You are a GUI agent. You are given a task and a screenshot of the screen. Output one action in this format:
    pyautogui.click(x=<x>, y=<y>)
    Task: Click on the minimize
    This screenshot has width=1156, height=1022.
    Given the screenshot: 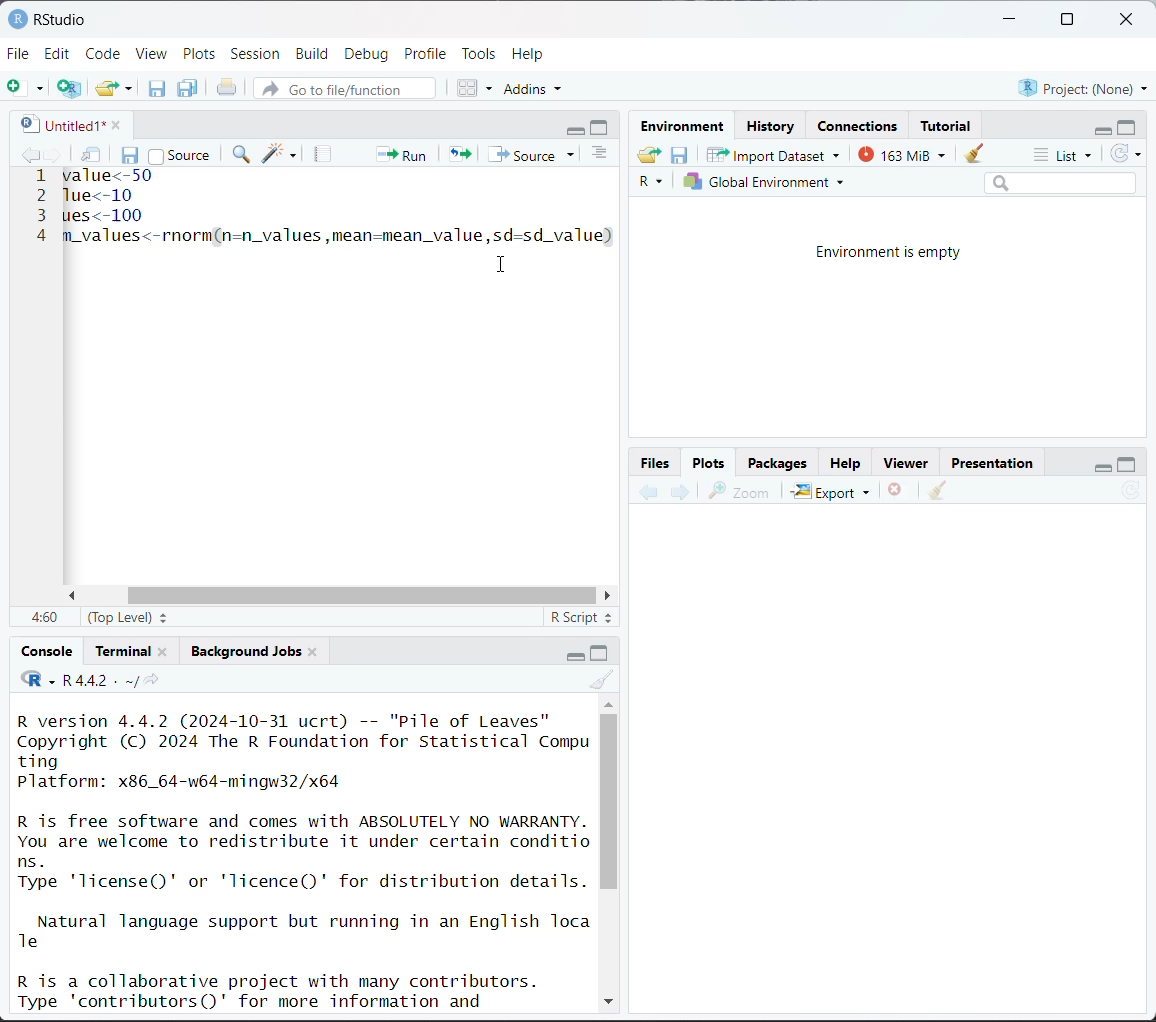 What is the action you would take?
    pyautogui.click(x=571, y=654)
    